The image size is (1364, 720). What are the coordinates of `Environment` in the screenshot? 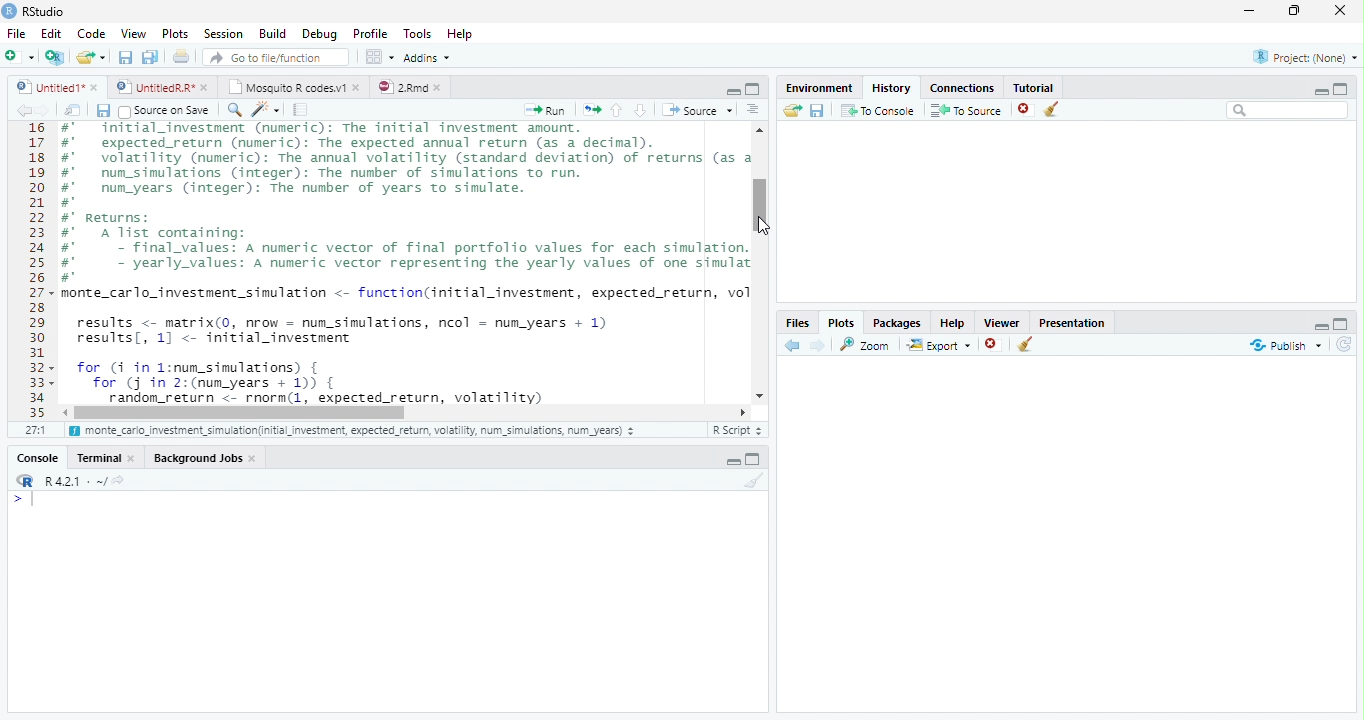 It's located at (819, 85).